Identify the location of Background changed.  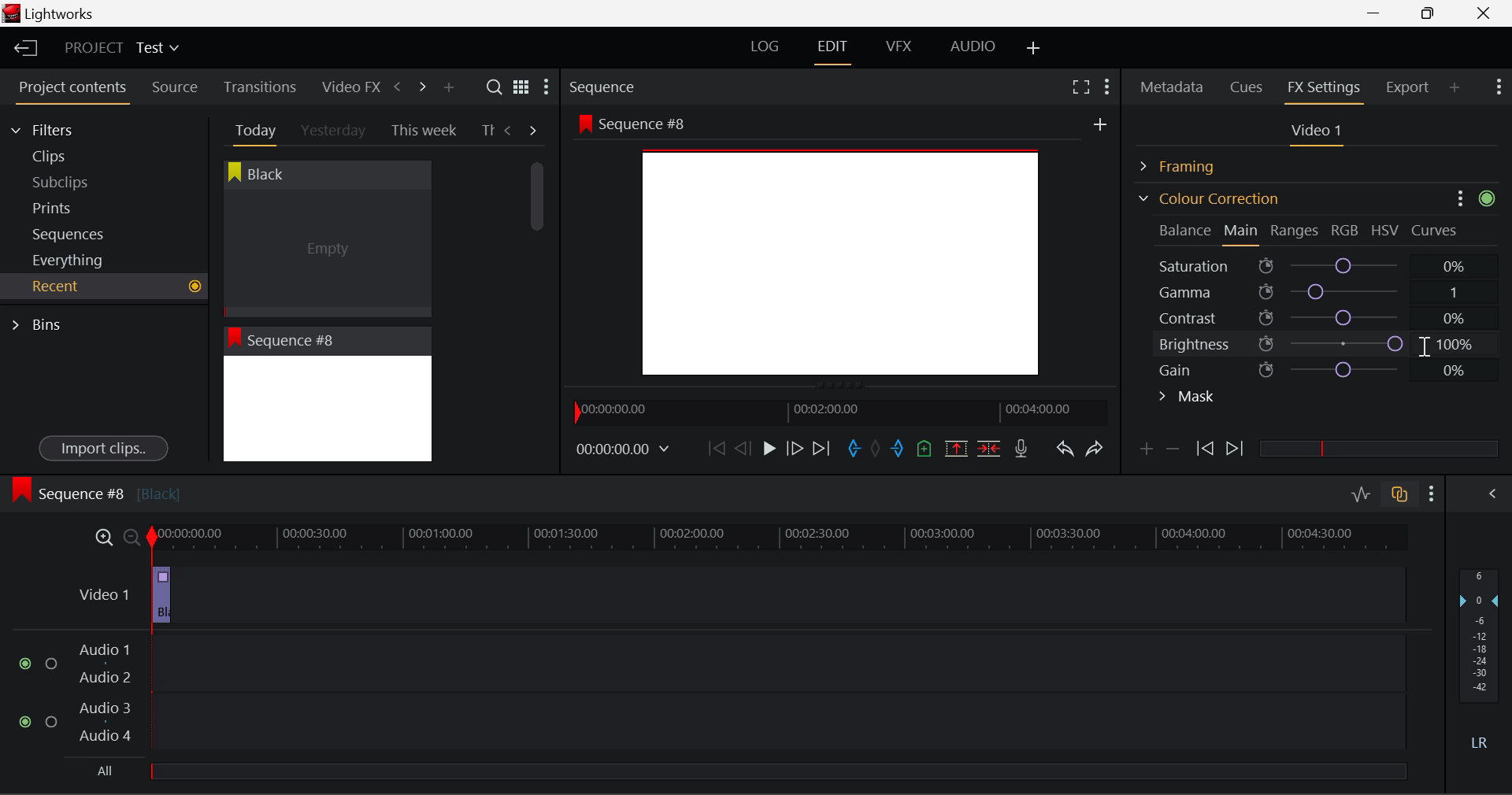
(845, 251).